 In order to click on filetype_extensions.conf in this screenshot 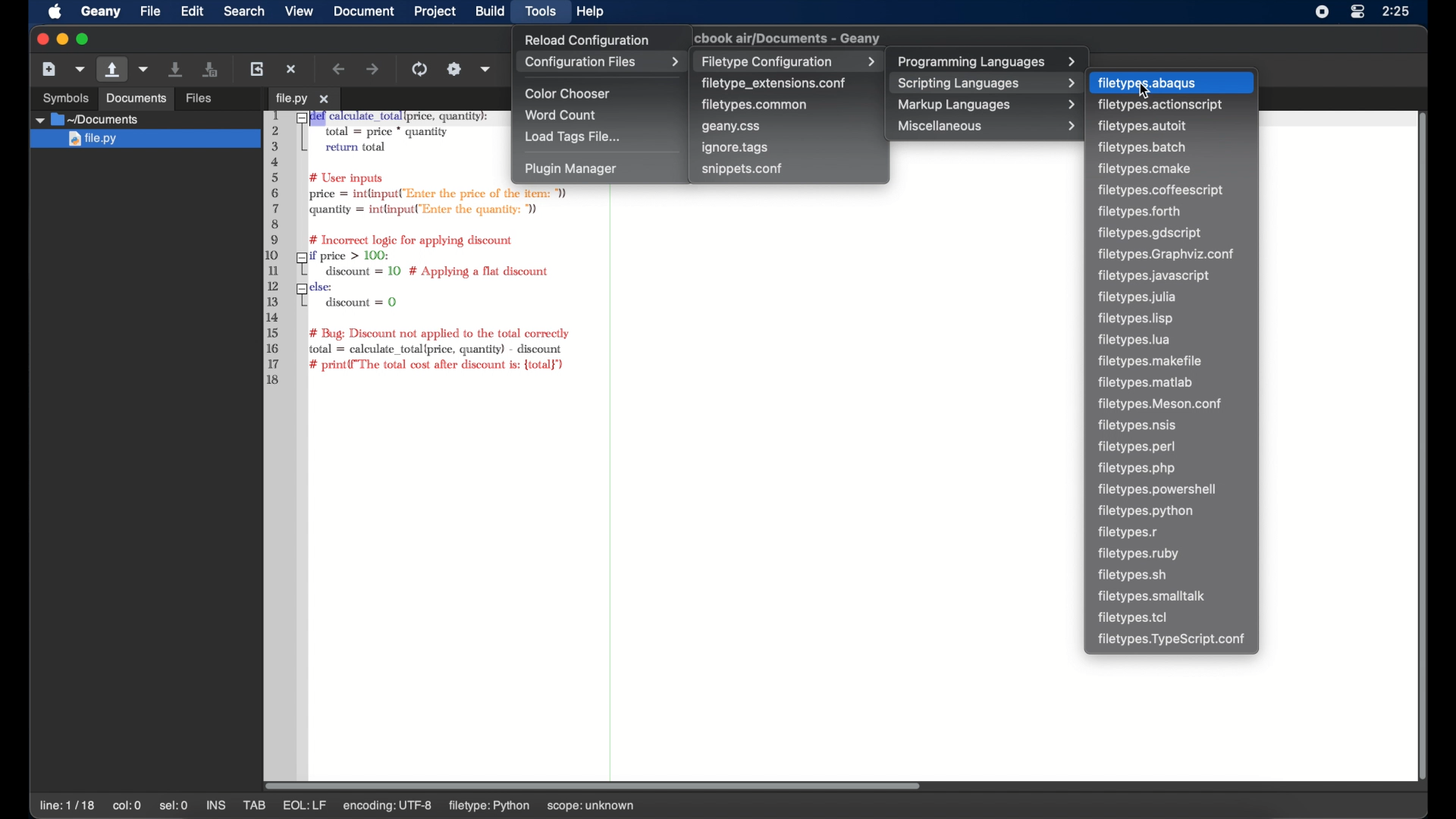, I will do `click(773, 83)`.